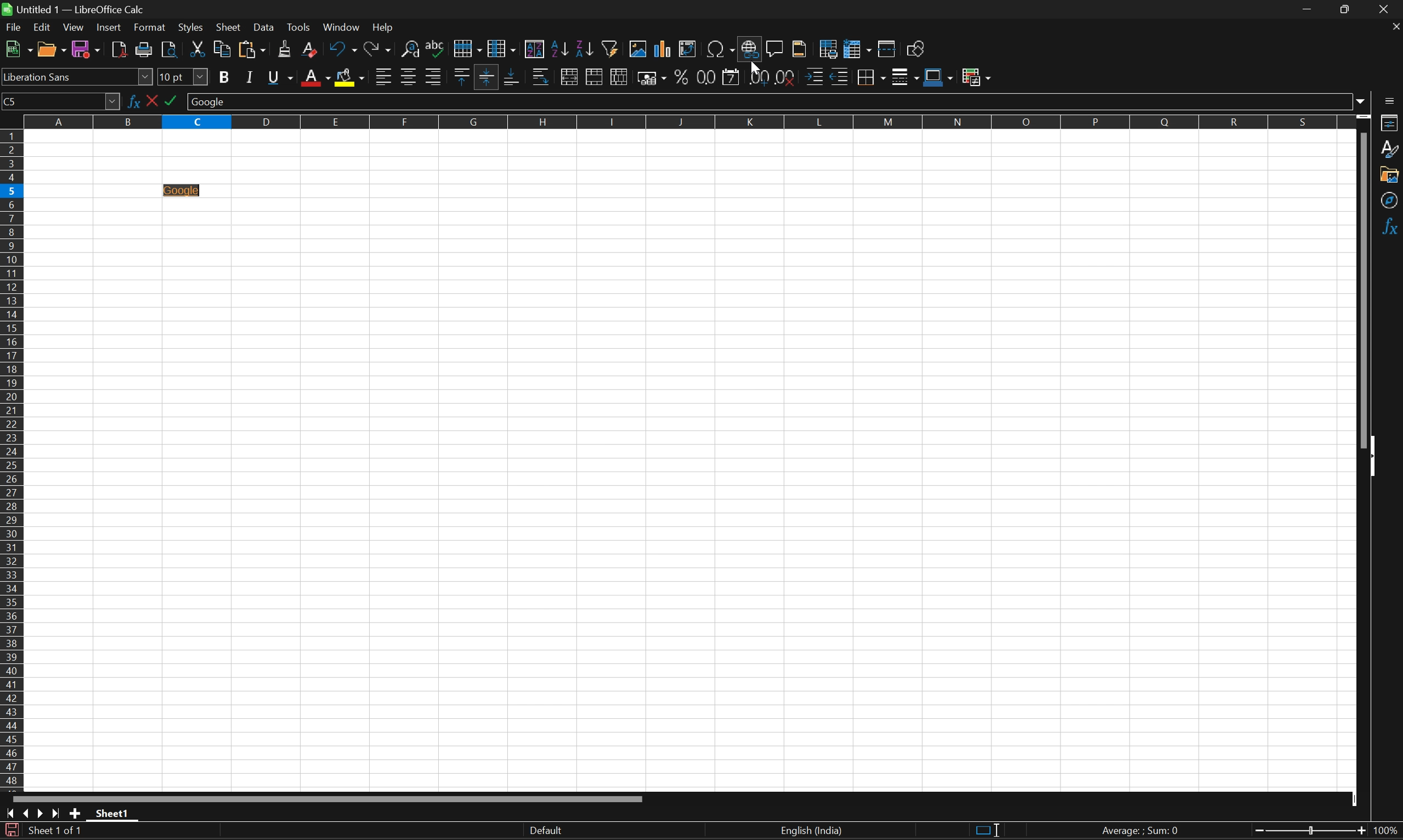 Image resolution: width=1403 pixels, height=840 pixels. I want to click on Insert comment, so click(776, 49).